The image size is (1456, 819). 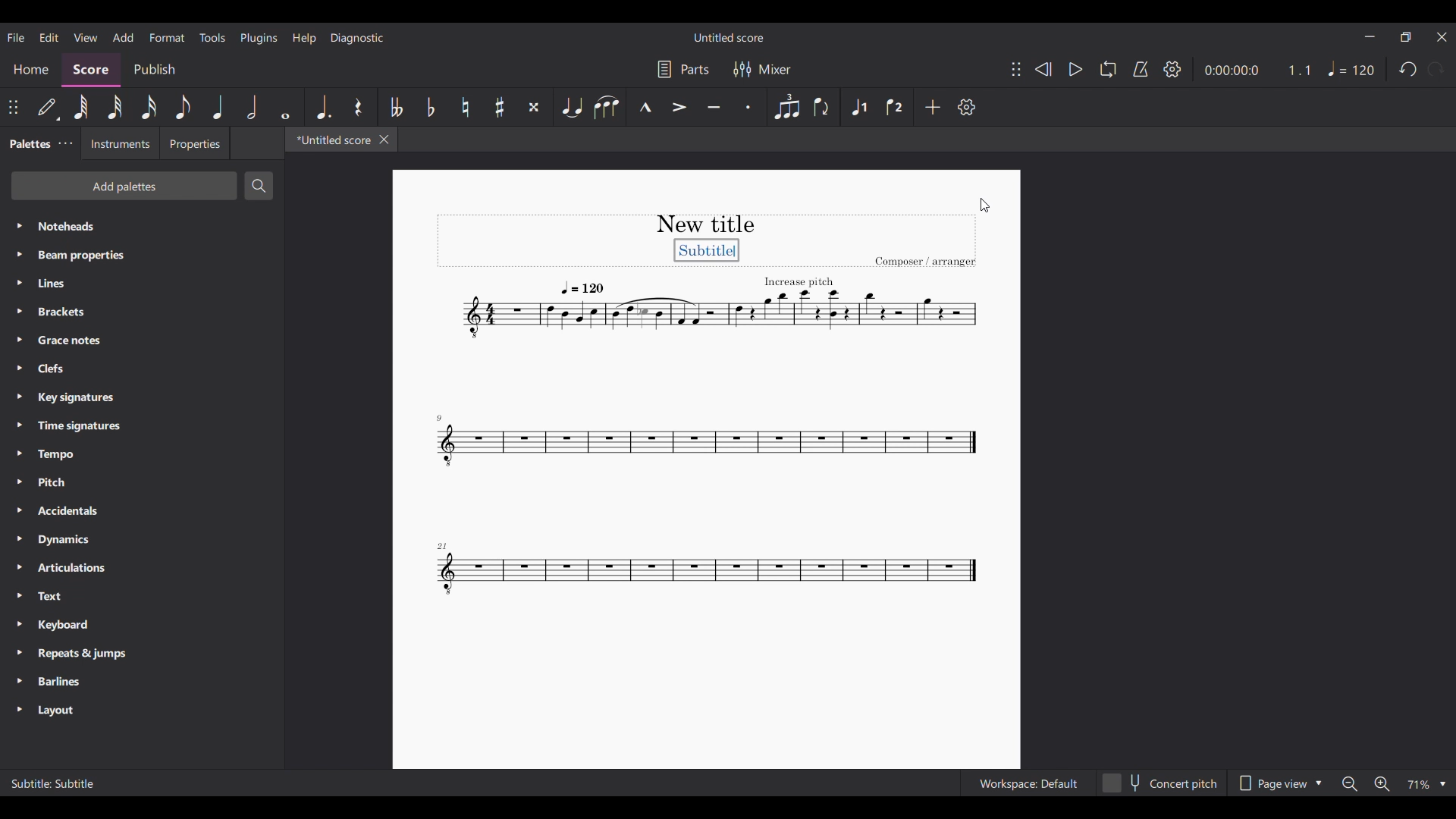 I want to click on 8th note, so click(x=184, y=107).